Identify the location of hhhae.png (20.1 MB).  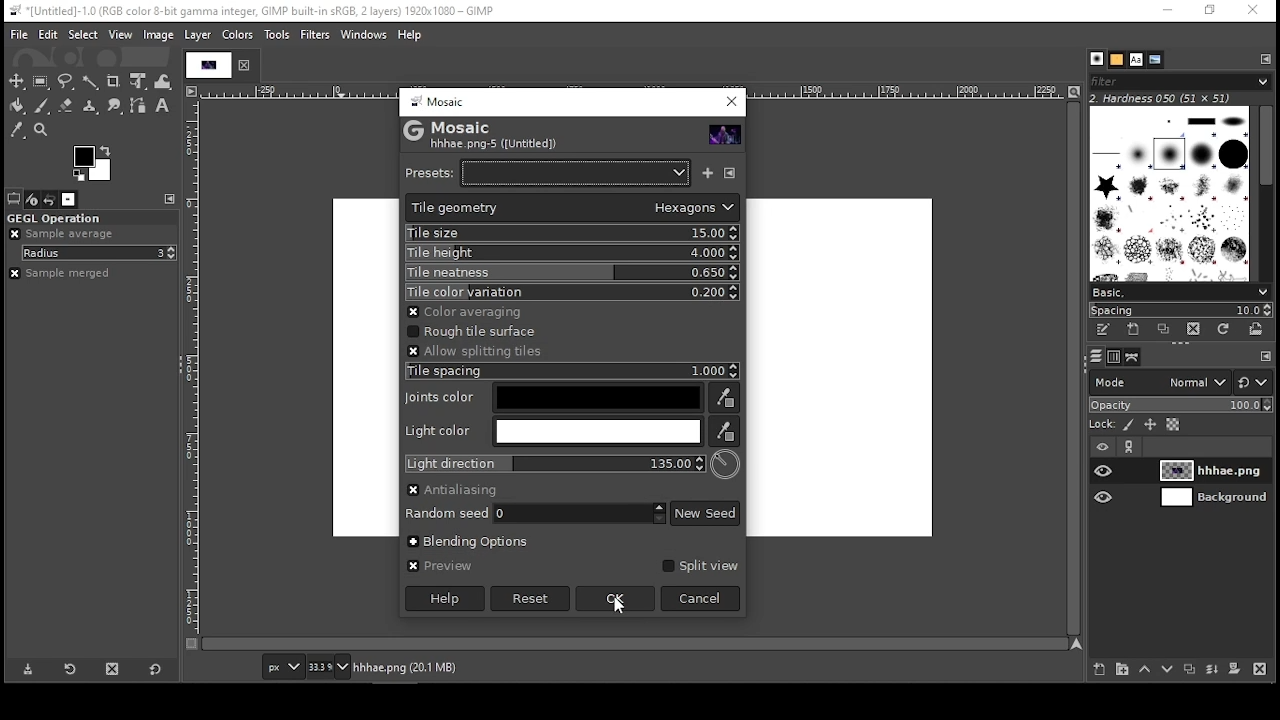
(415, 668).